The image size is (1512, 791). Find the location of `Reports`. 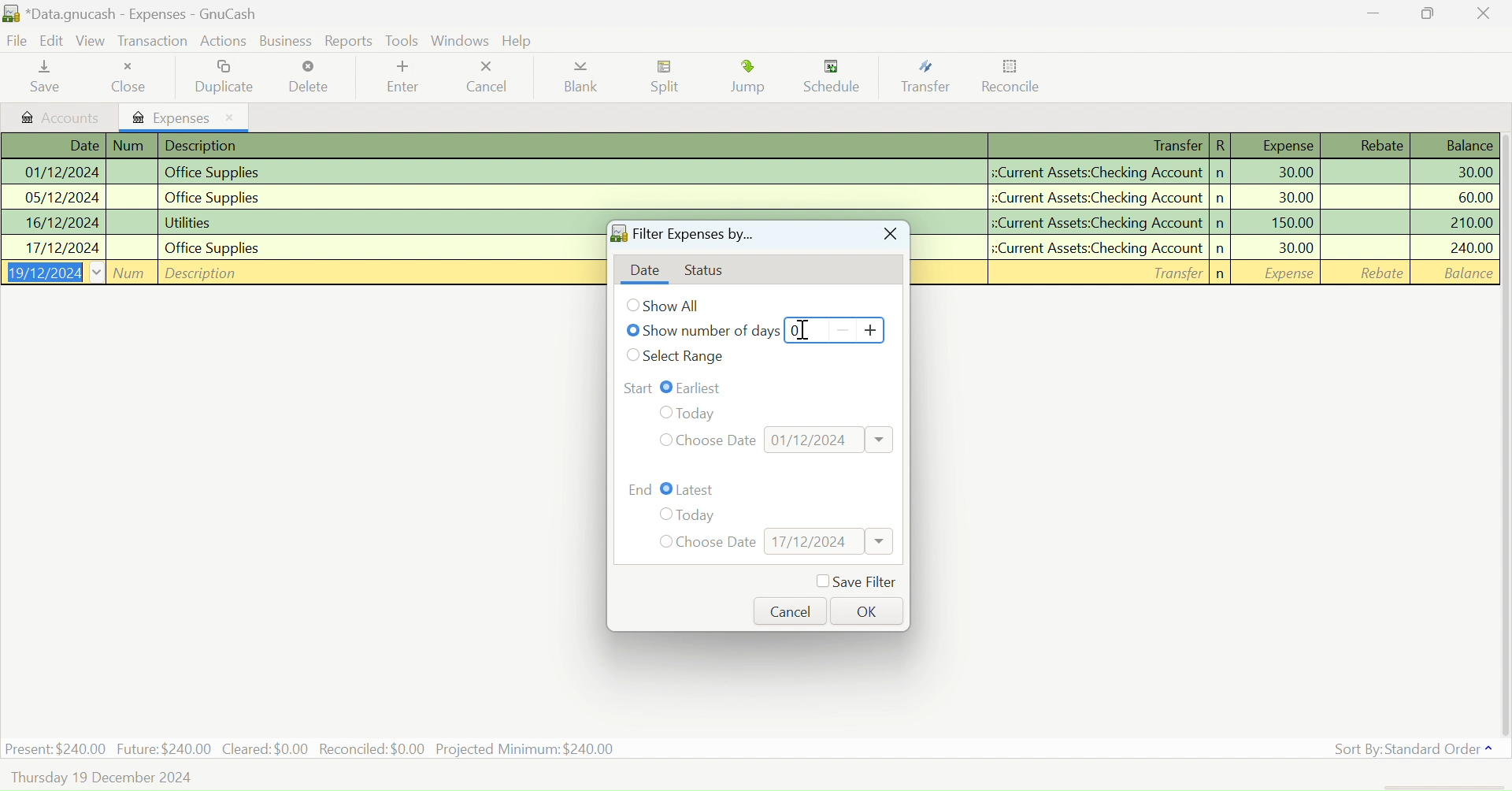

Reports is located at coordinates (350, 41).